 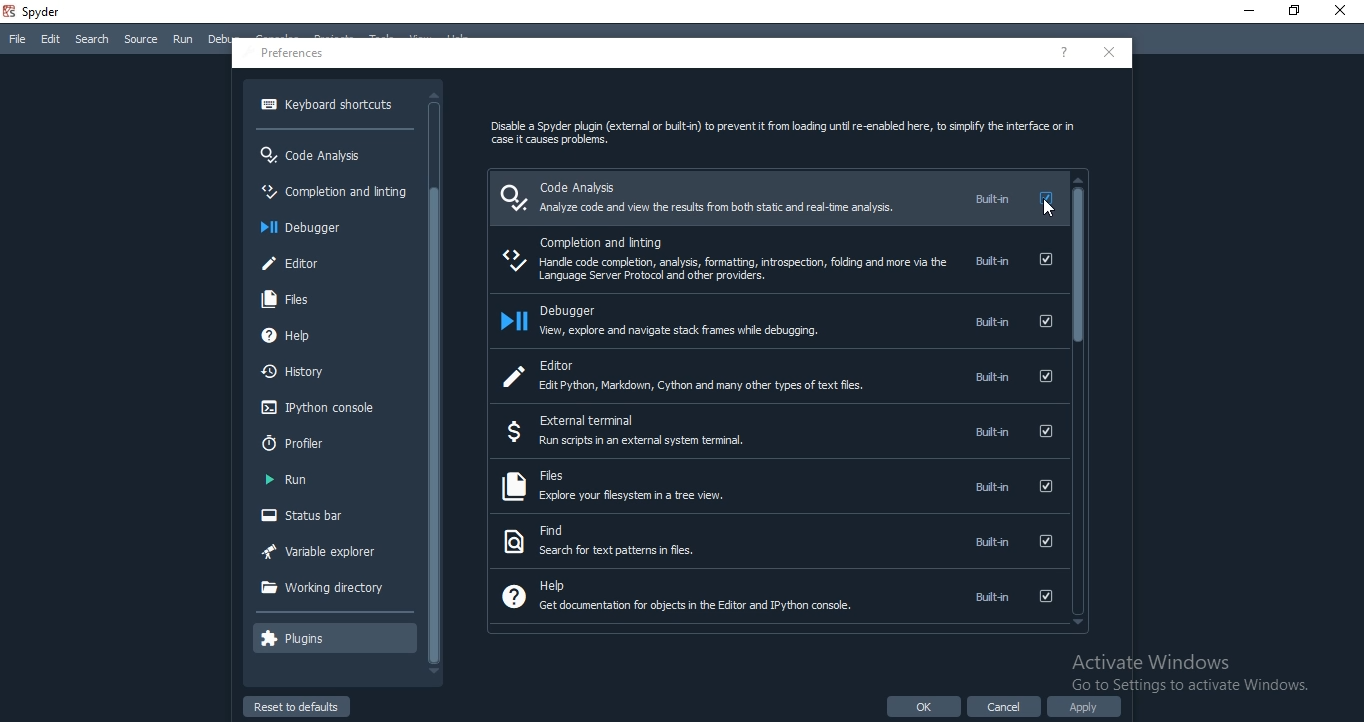 What do you see at coordinates (776, 432) in the screenshot?
I see `external ternimal` at bounding box center [776, 432].